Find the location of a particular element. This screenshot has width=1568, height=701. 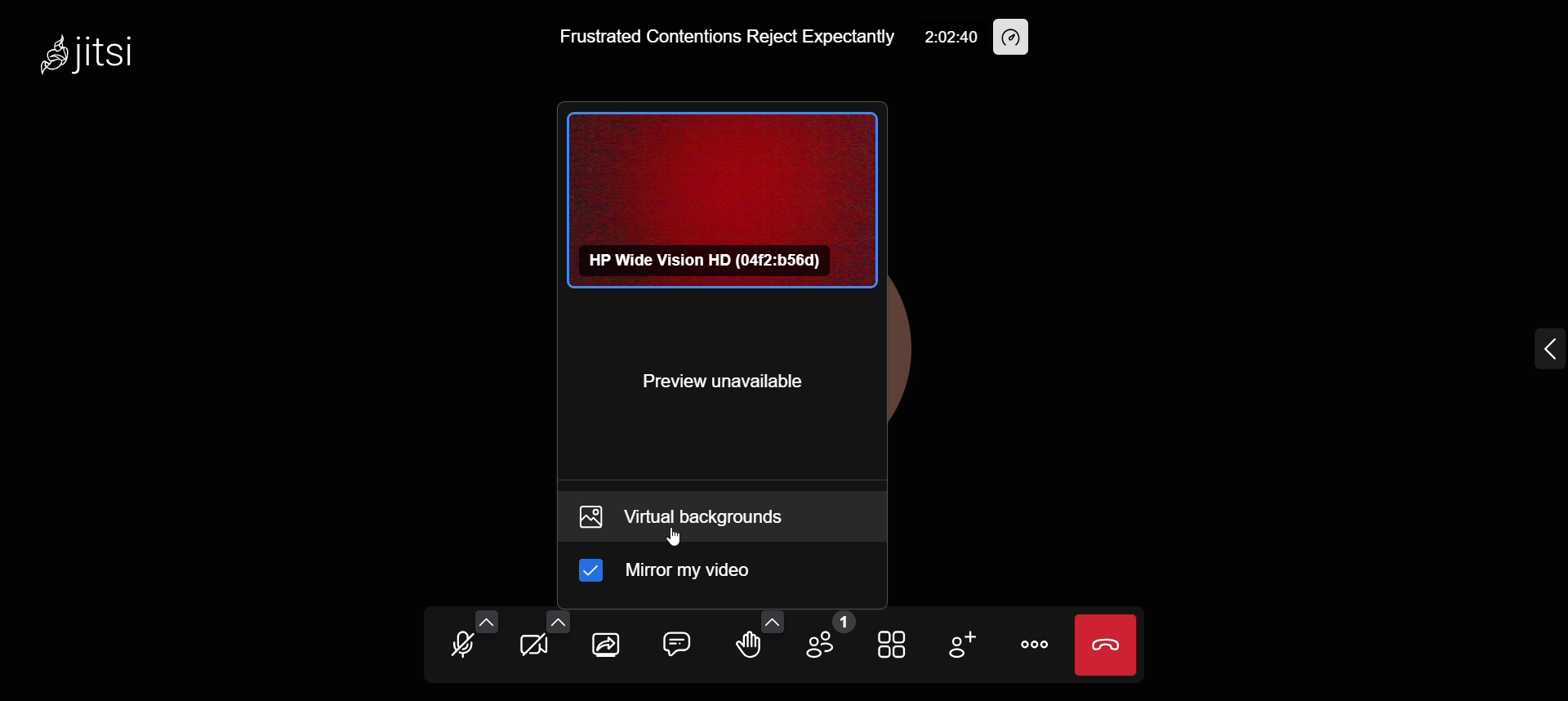

preview unable is located at coordinates (722, 385).